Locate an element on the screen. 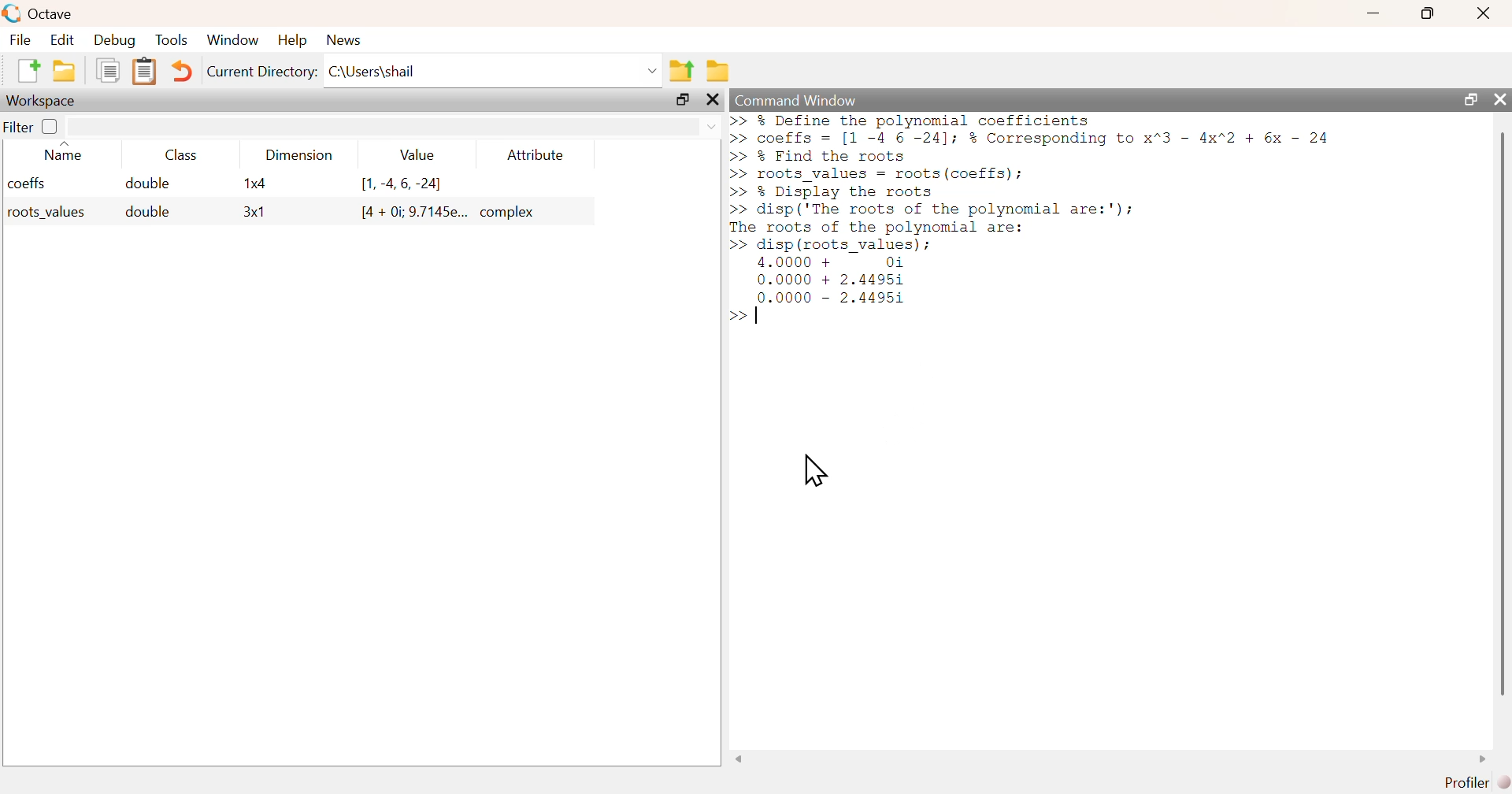  complex is located at coordinates (510, 212).